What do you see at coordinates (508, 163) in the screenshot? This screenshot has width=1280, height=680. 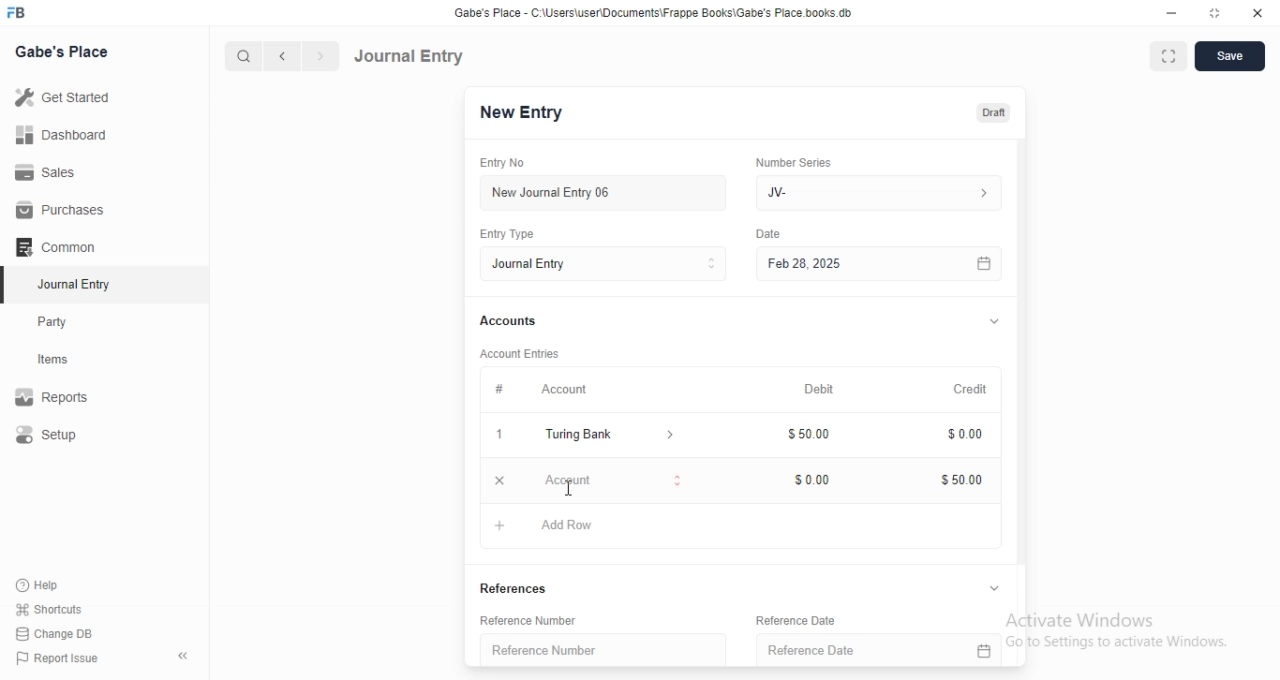 I see `Entry No.` at bounding box center [508, 163].